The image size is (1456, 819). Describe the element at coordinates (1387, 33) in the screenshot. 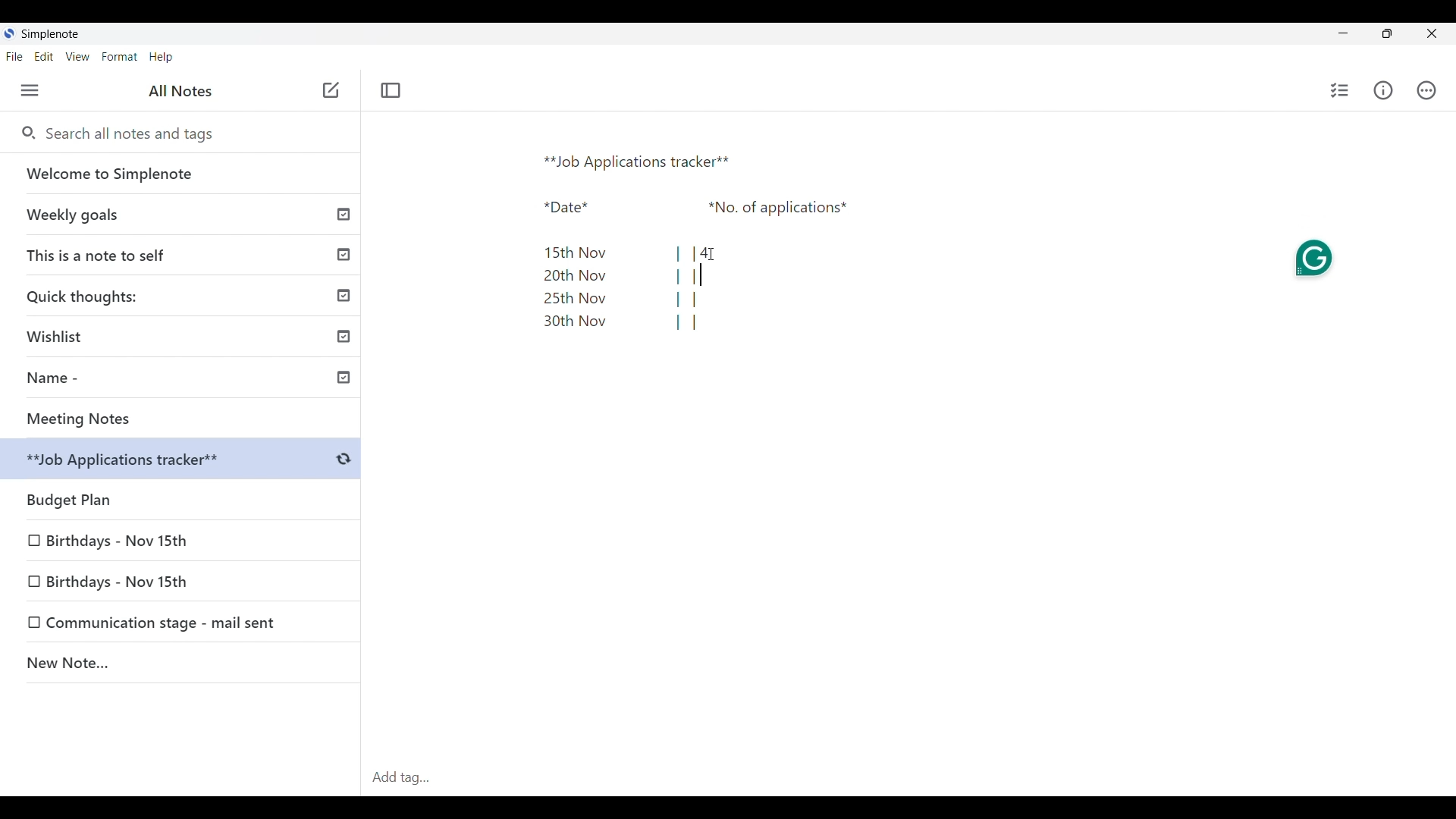

I see `Maximize` at that location.